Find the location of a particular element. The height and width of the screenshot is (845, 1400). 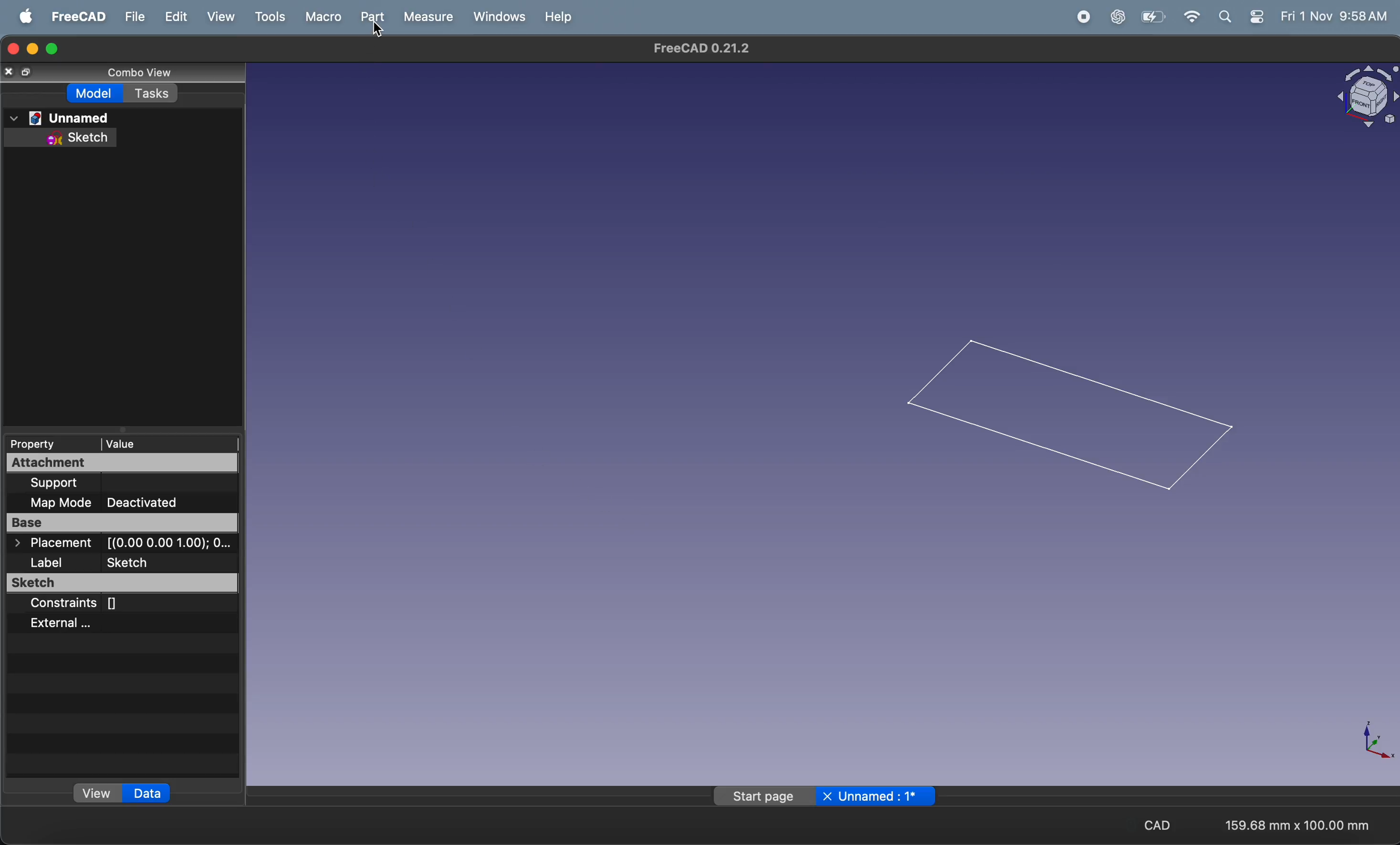

file is located at coordinates (129, 16).